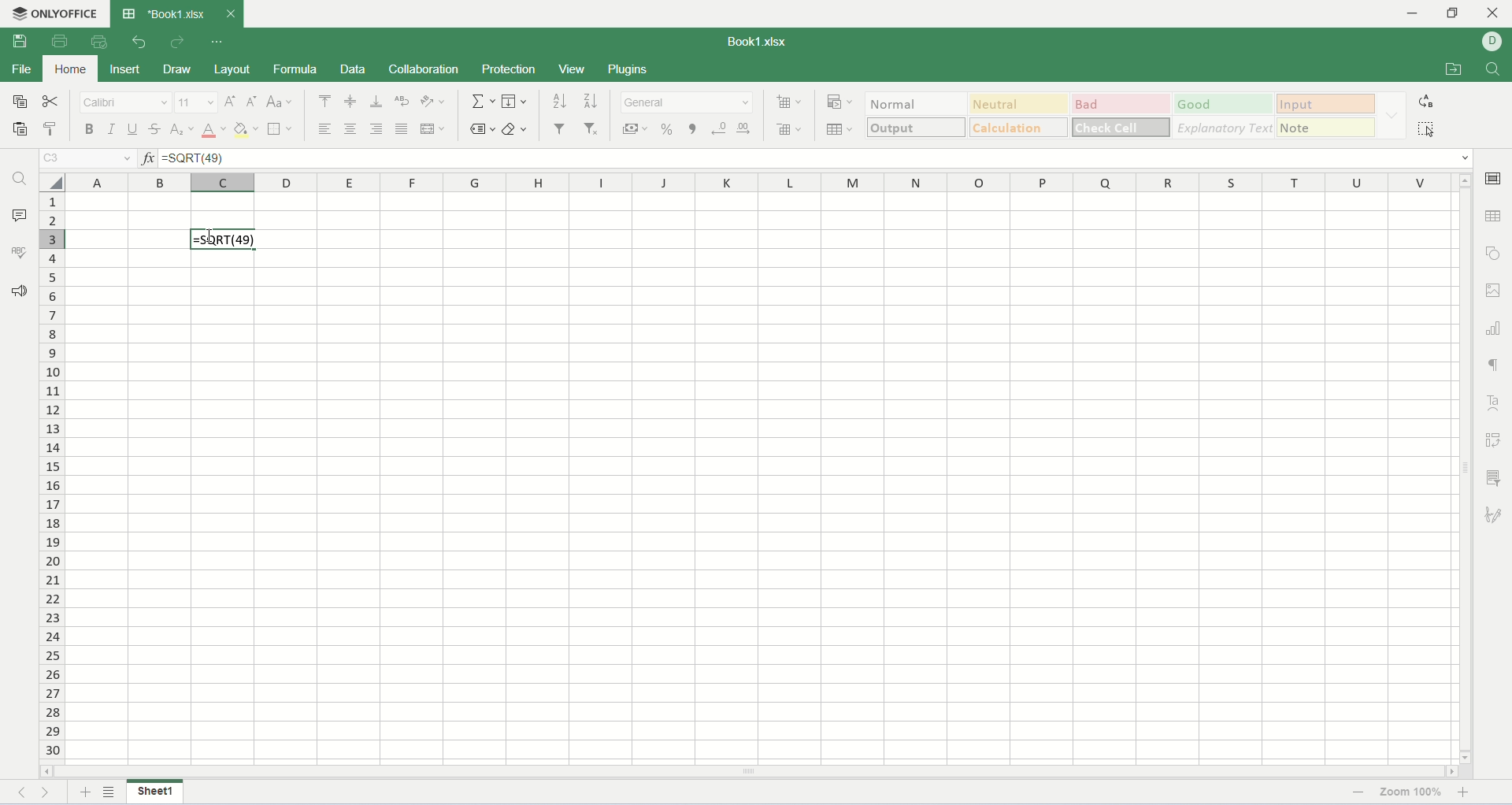 Image resolution: width=1512 pixels, height=805 pixels. I want to click on pivot settings, so click(1494, 438).